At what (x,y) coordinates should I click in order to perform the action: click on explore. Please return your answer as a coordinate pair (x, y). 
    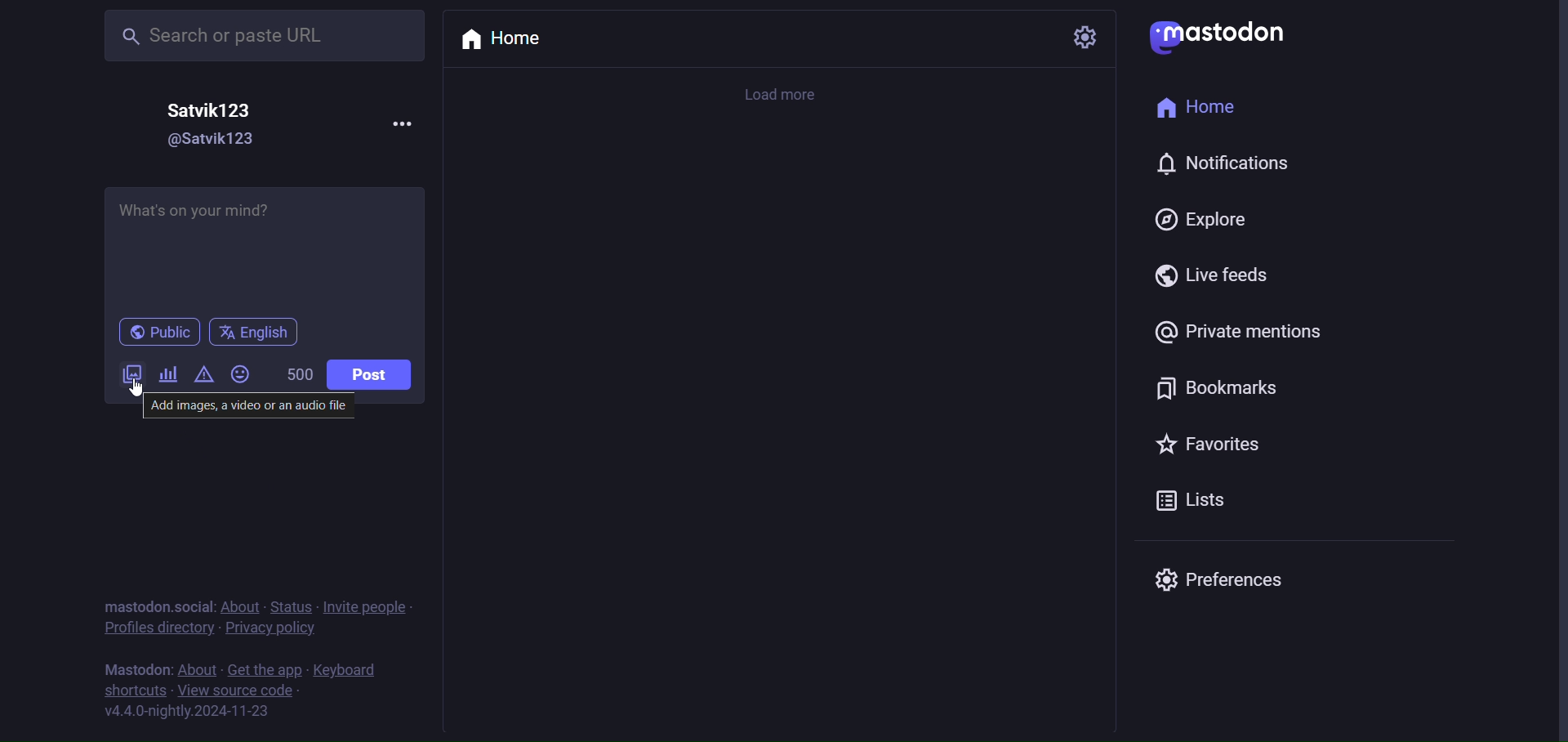
    Looking at the image, I should click on (1196, 221).